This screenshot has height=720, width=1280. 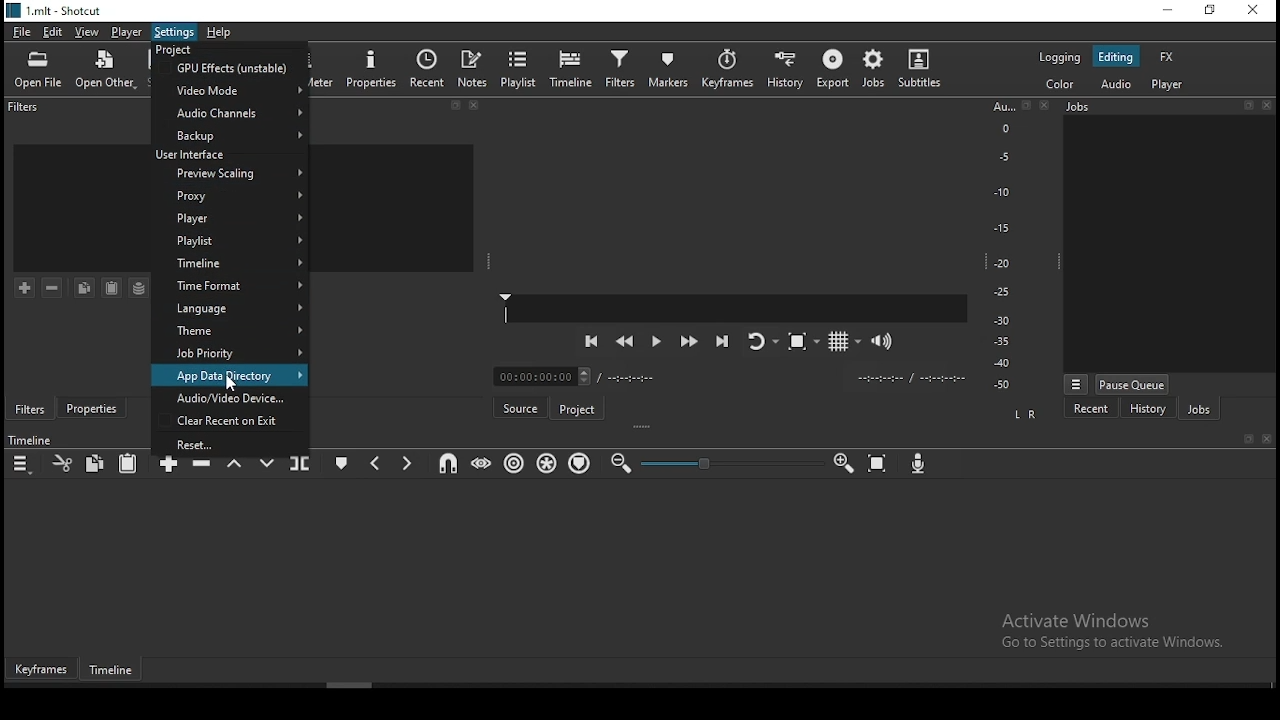 I want to click on notes, so click(x=474, y=68).